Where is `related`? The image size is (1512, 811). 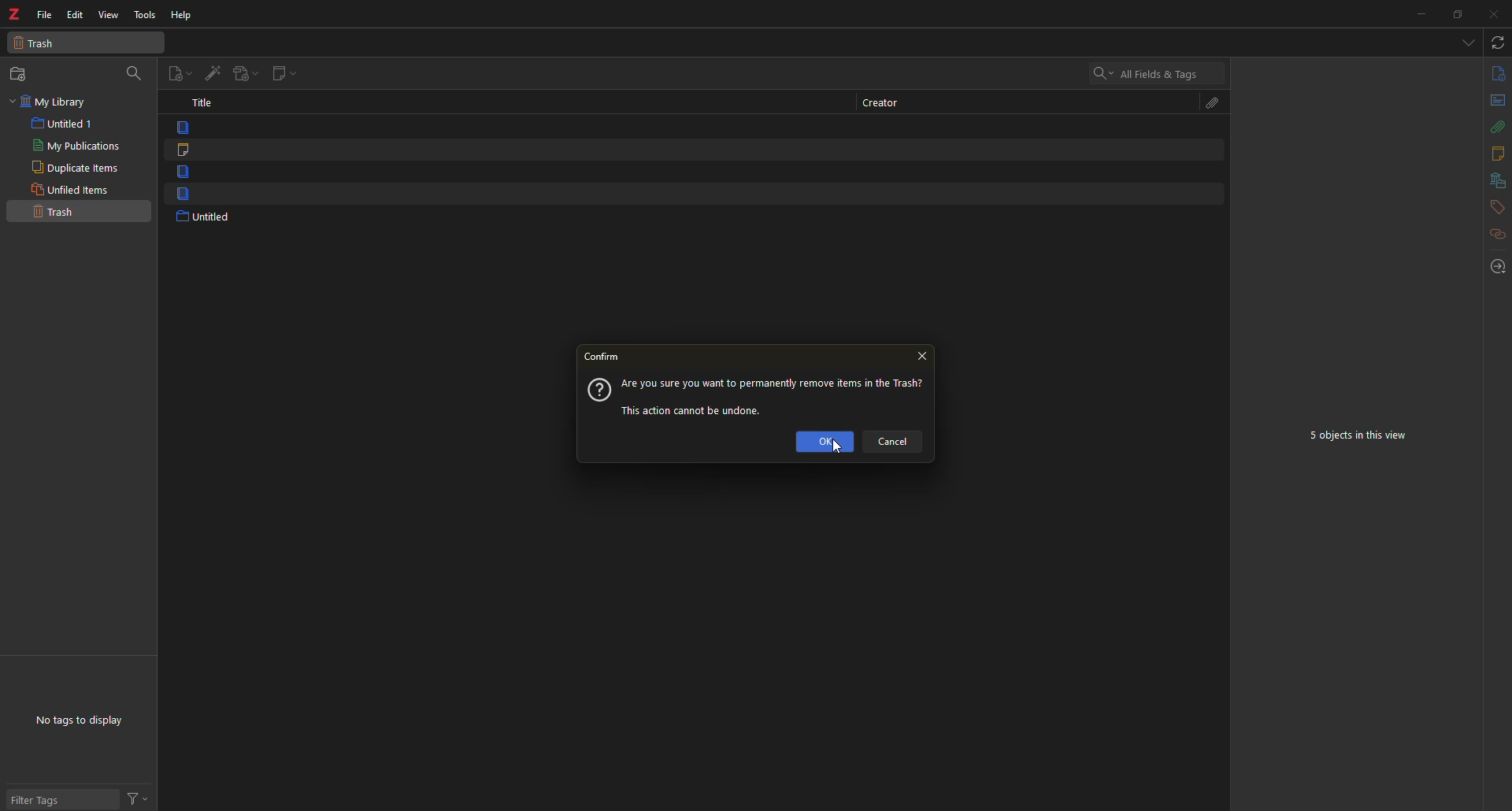 related is located at coordinates (1495, 234).